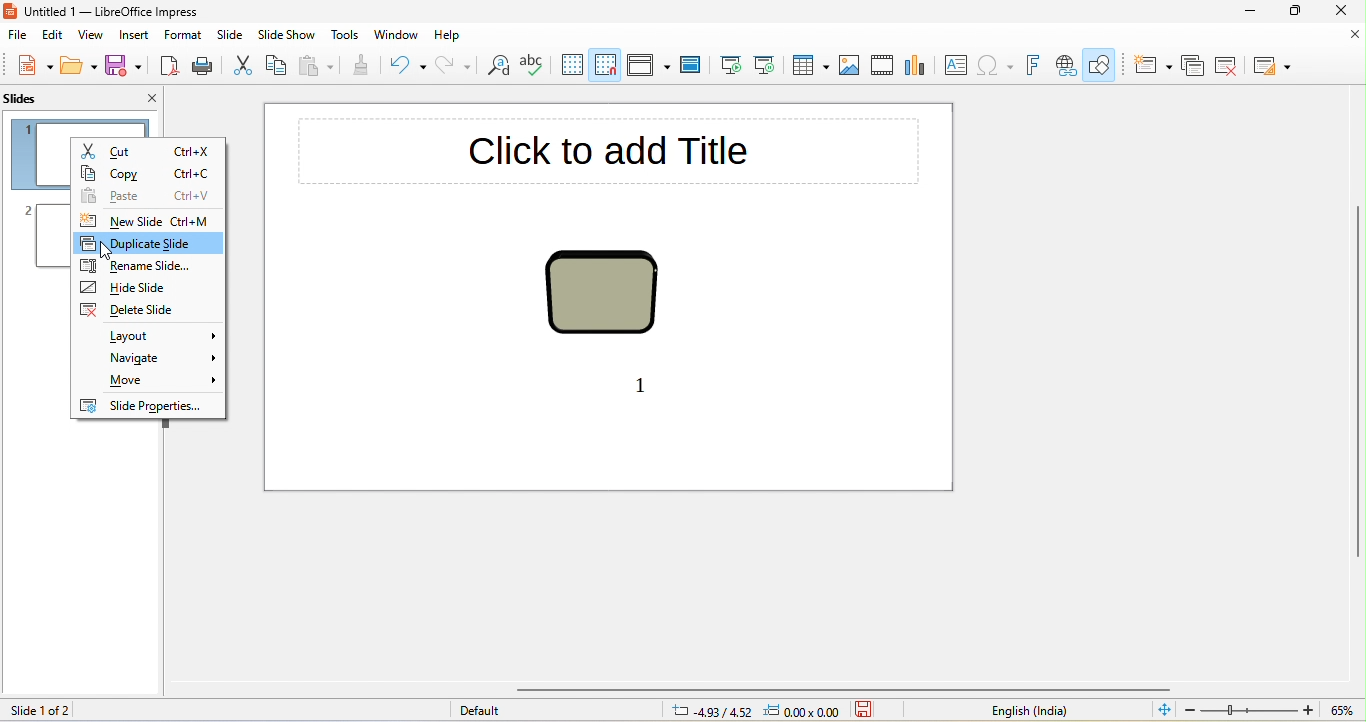 The height and width of the screenshot is (722, 1366). Describe the element at coordinates (228, 36) in the screenshot. I see `slide` at that location.